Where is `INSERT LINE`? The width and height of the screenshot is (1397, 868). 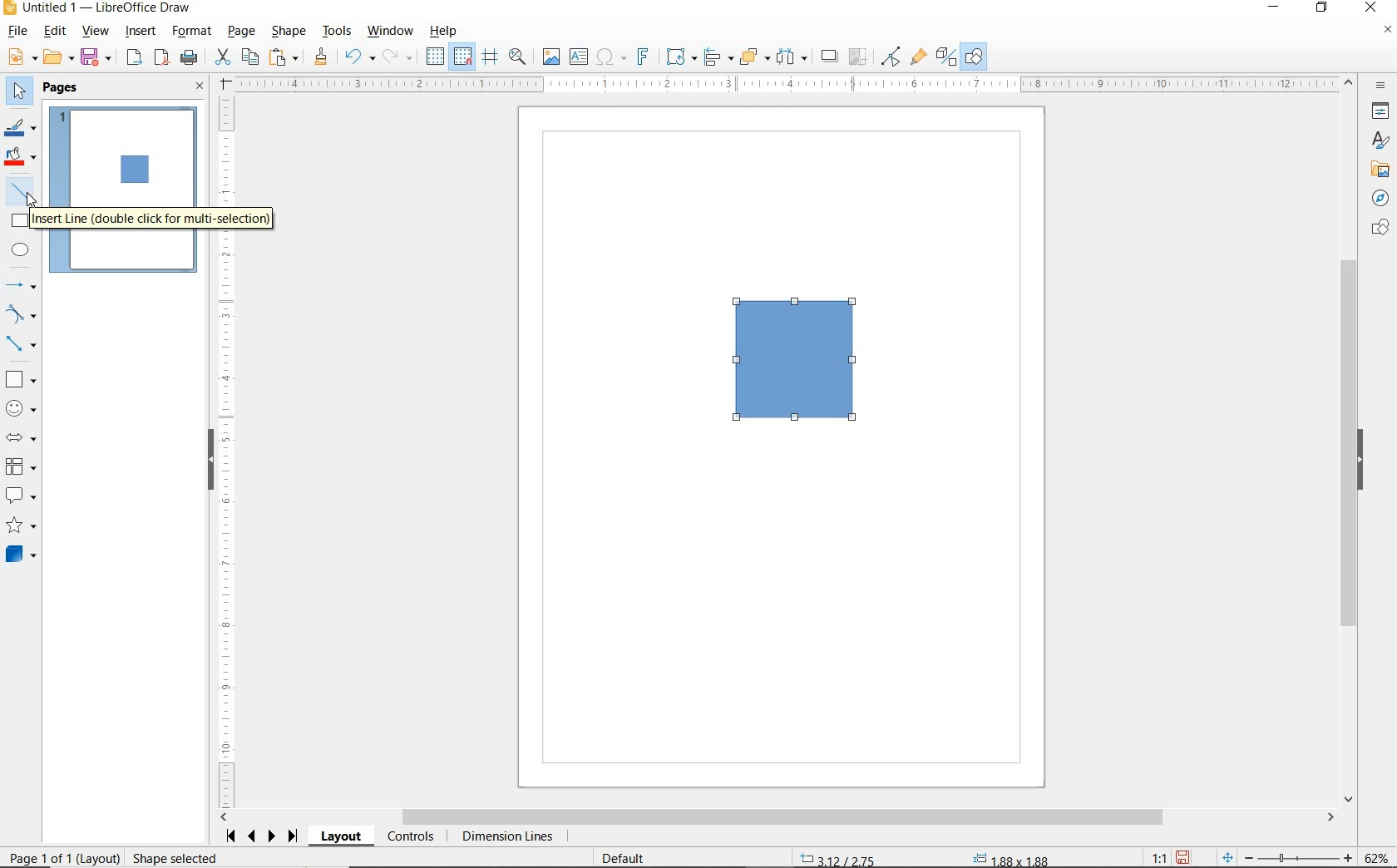 INSERT LINE is located at coordinates (153, 219).